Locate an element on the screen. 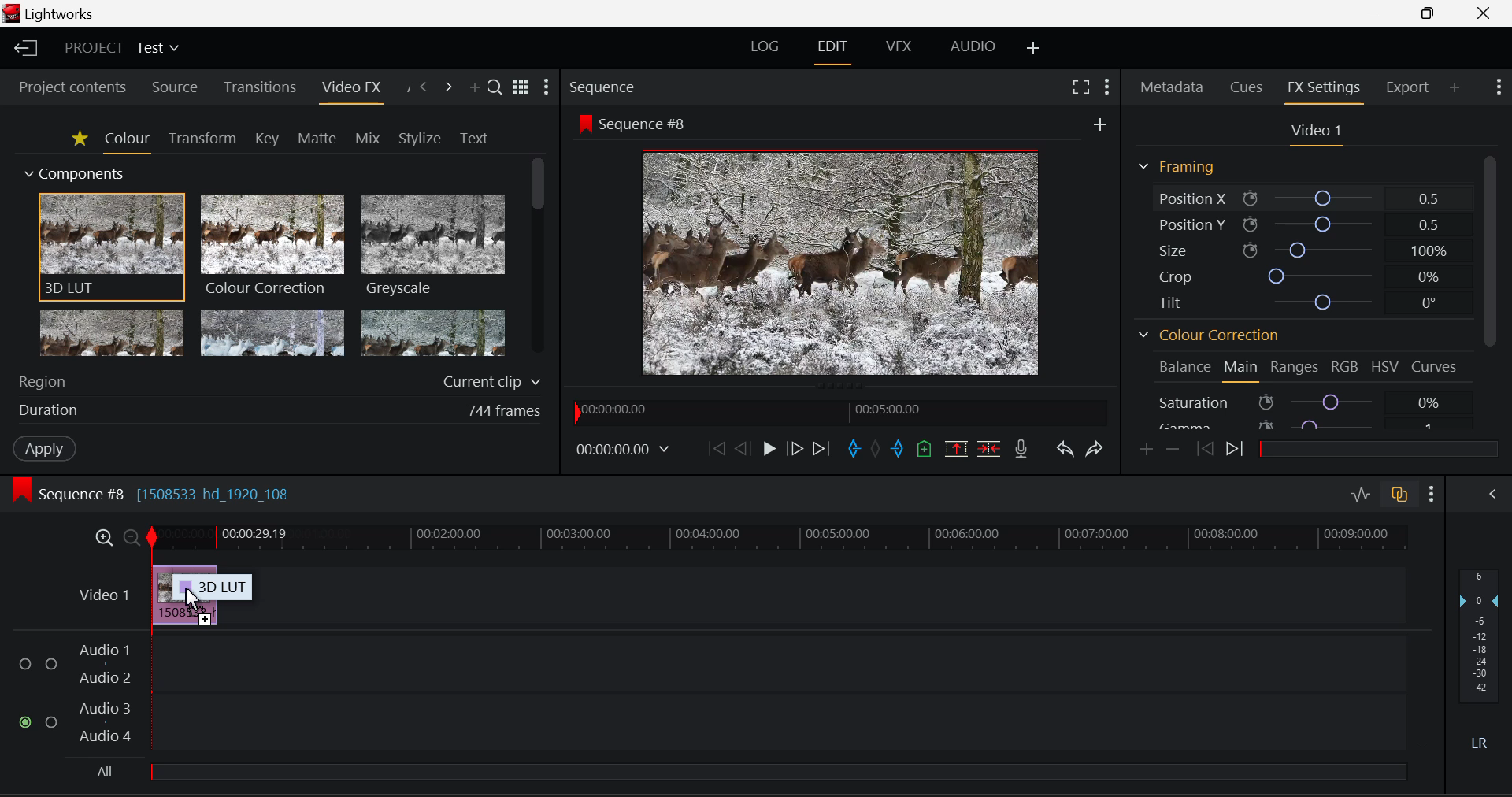 This screenshot has height=797, width=1512. Add Panel is located at coordinates (474, 85).